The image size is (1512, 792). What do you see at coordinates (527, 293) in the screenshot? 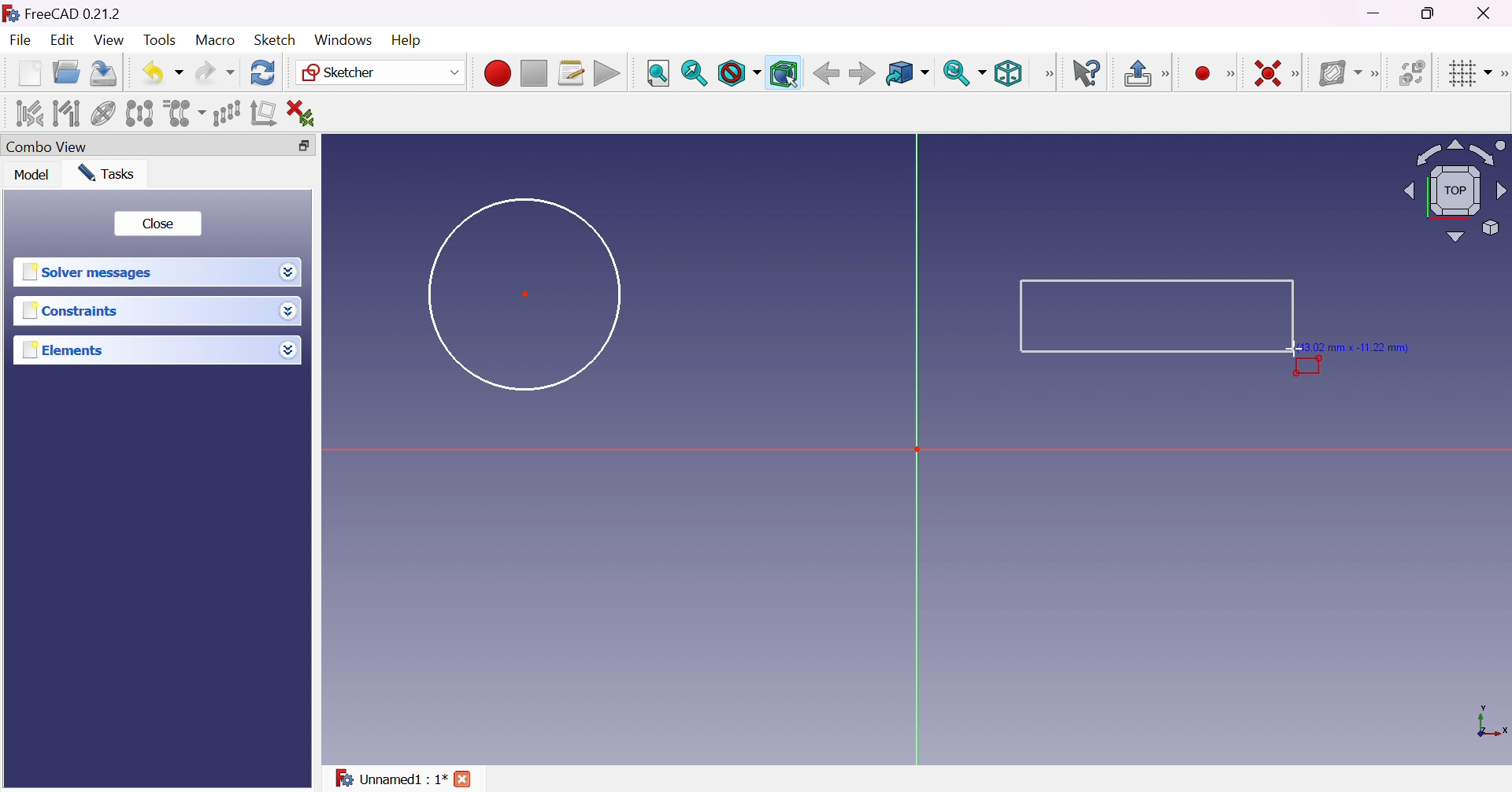
I see `Dot` at bounding box center [527, 293].